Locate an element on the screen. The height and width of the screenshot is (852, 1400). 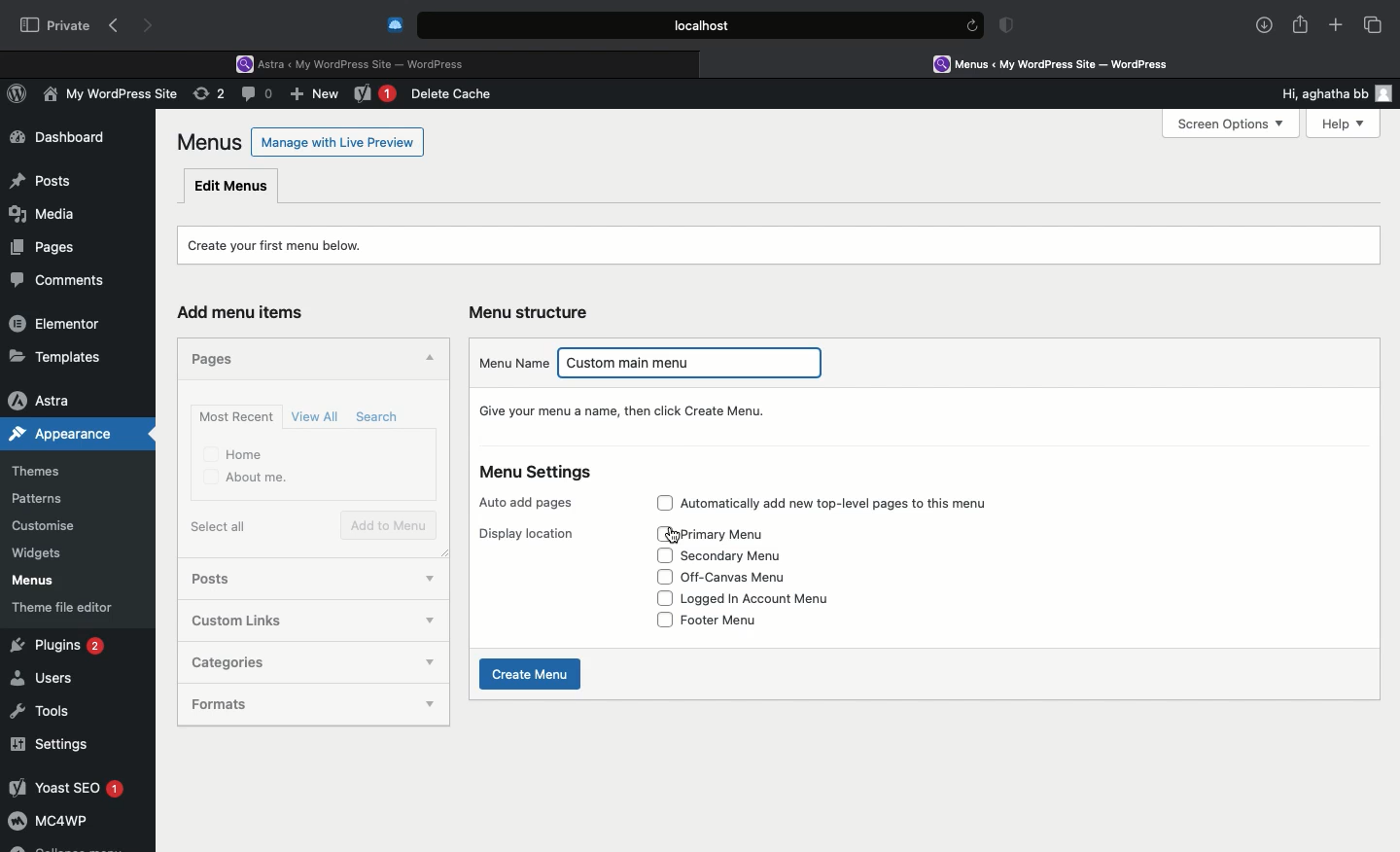
Hide is located at coordinates (427, 360).